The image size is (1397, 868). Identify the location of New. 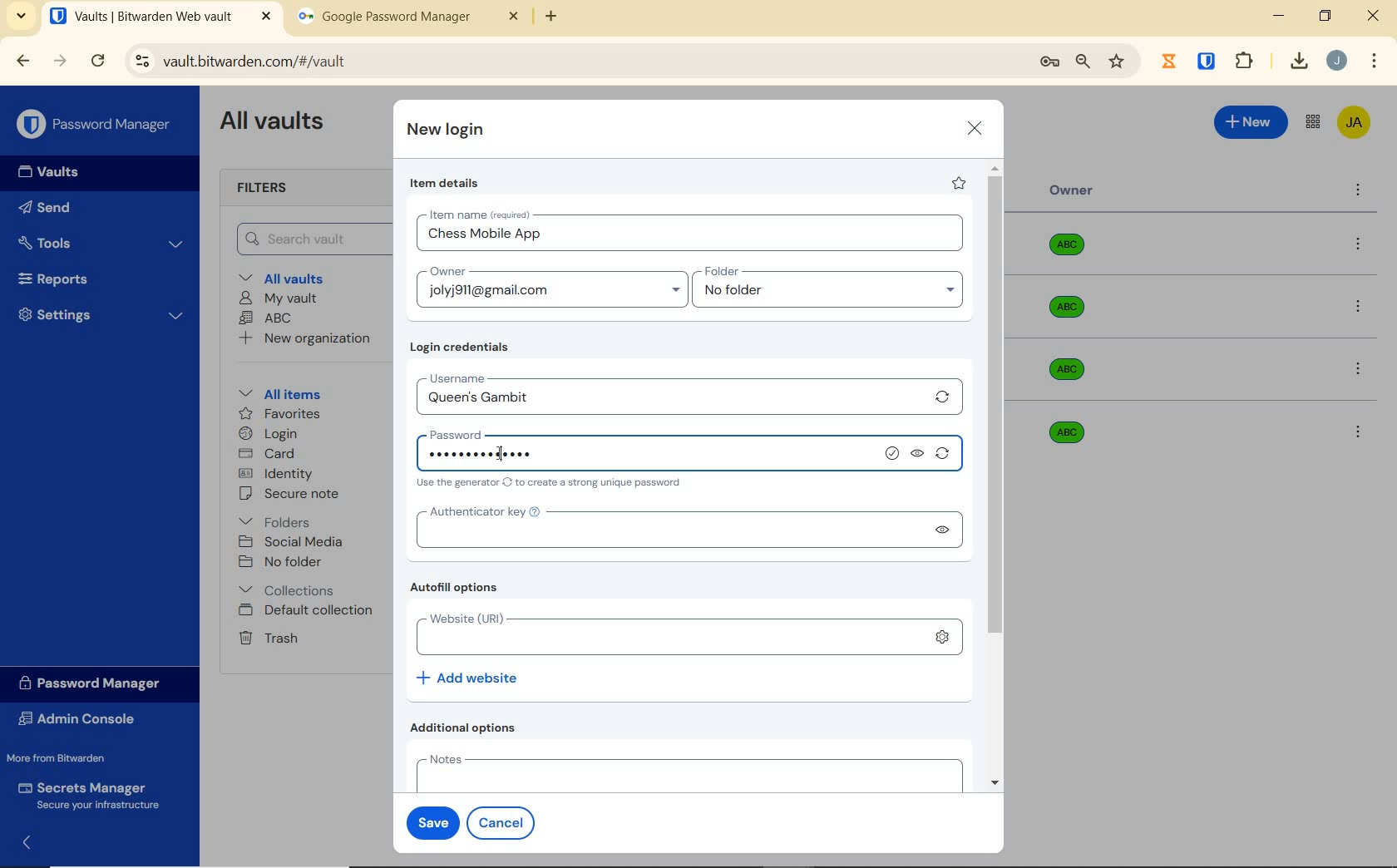
(1251, 120).